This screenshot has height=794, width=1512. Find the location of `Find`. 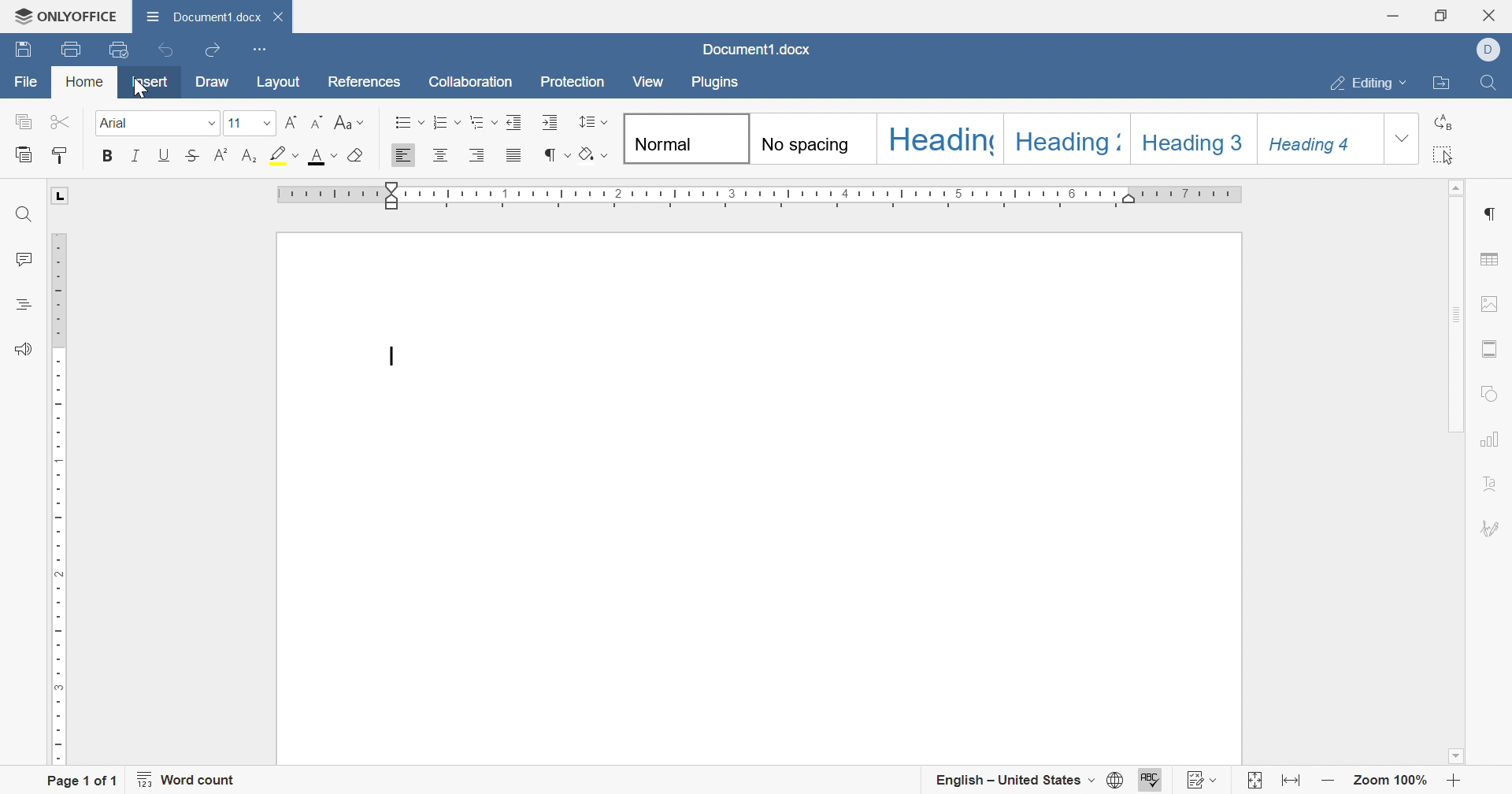

Find is located at coordinates (1492, 83).